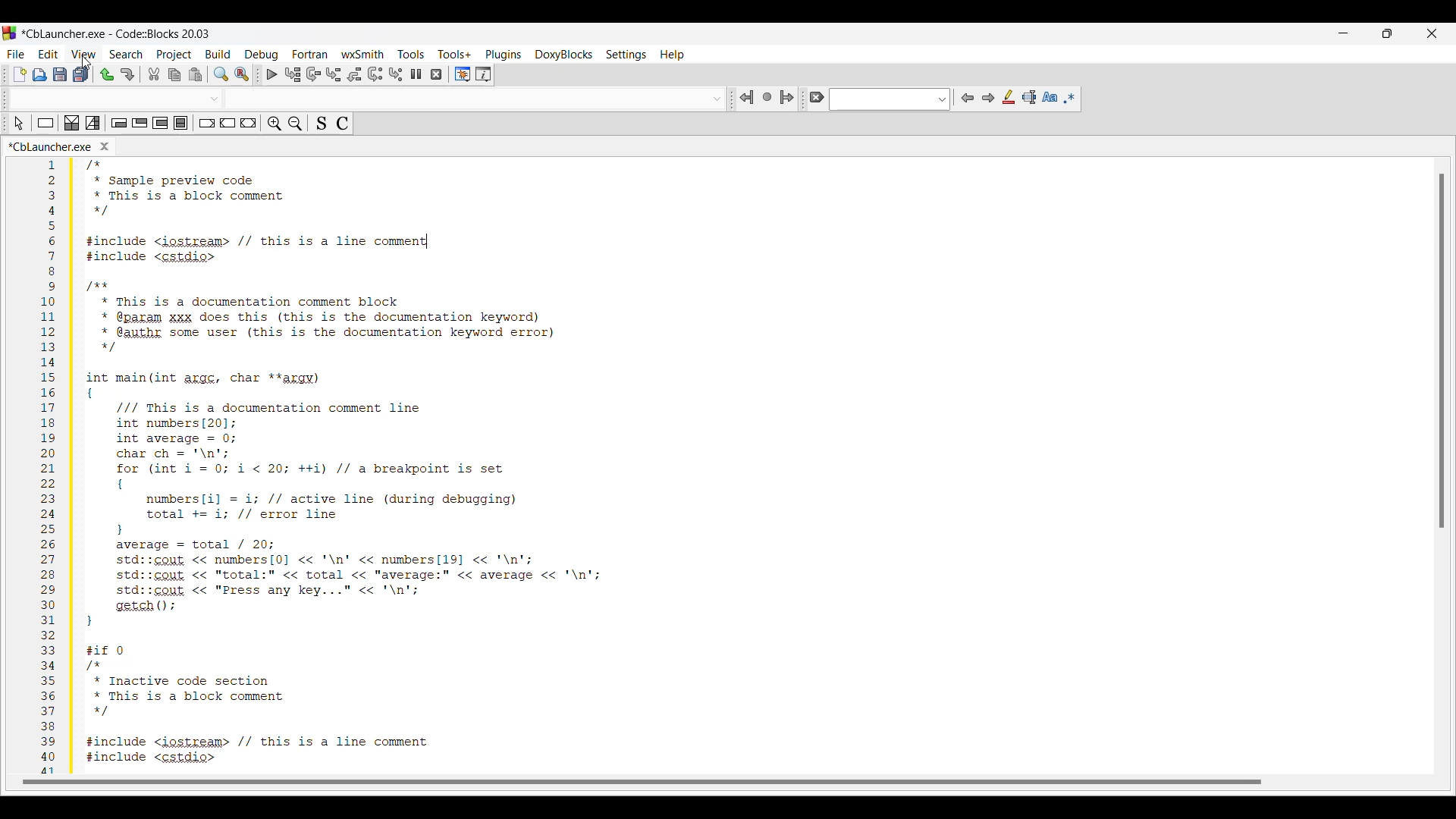 The width and height of the screenshot is (1456, 819). I want to click on Zoom out, so click(295, 124).